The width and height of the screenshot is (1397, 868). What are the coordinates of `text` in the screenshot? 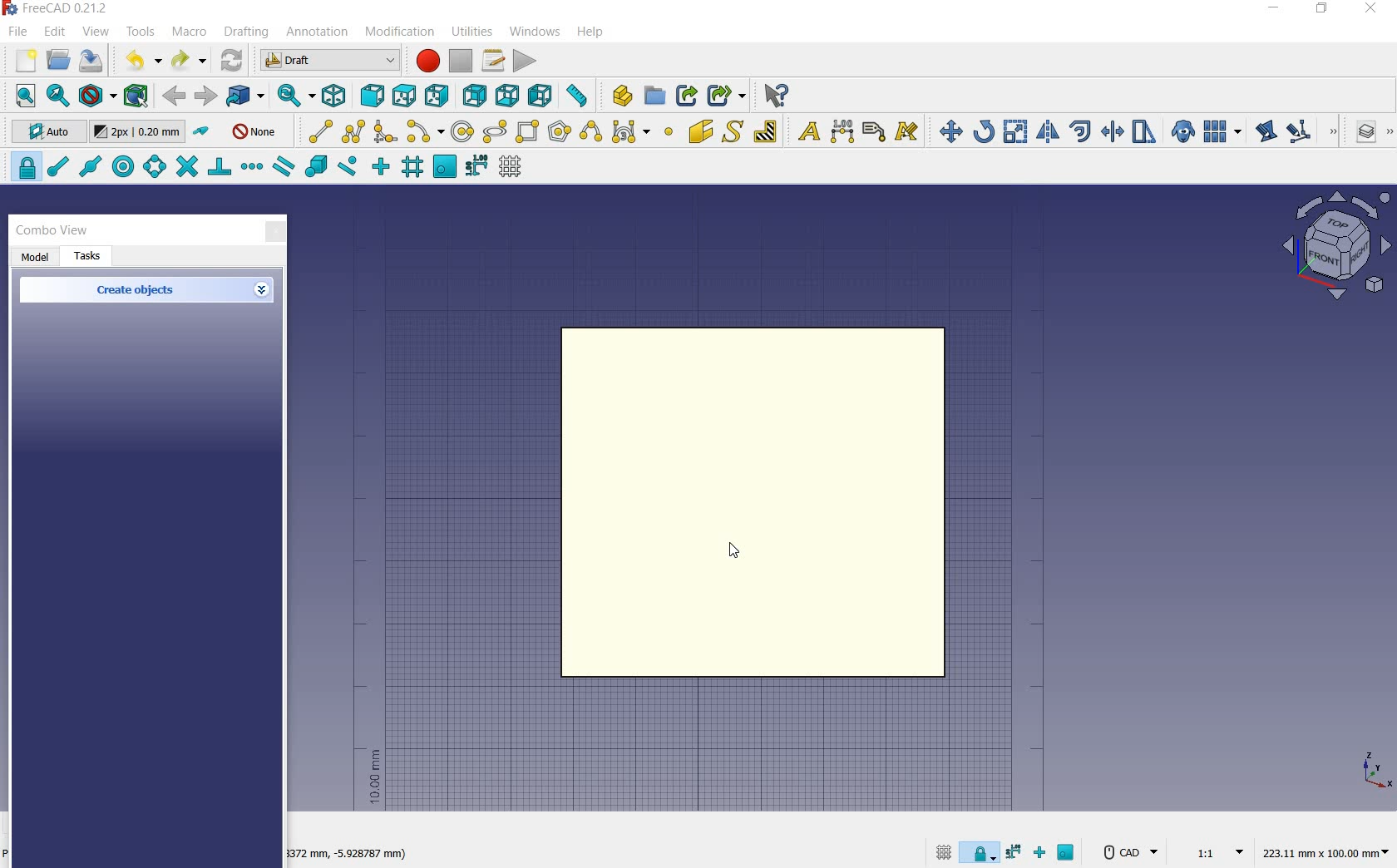 It's located at (805, 132).